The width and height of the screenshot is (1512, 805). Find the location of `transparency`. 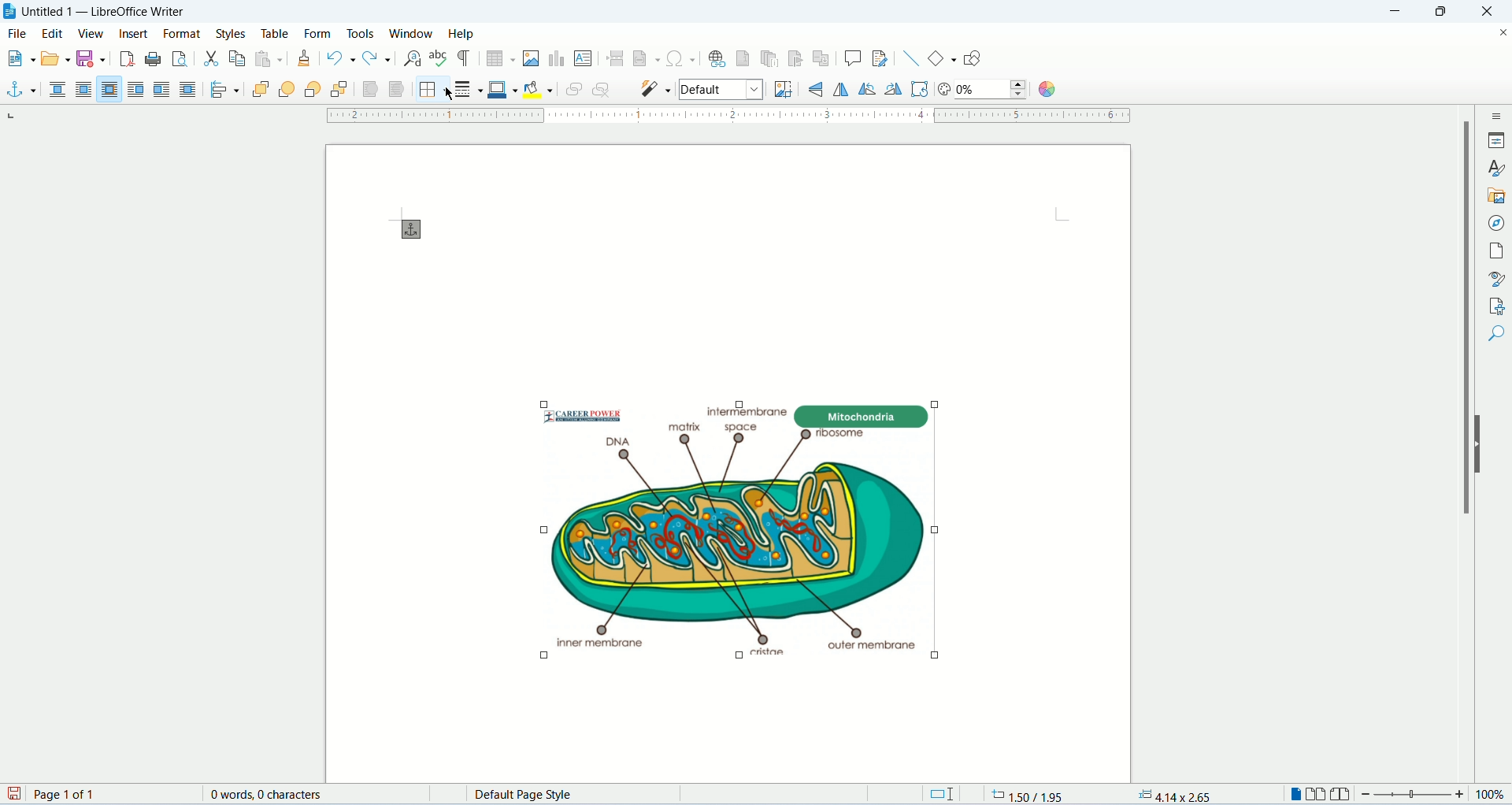

transparency is located at coordinates (993, 90).